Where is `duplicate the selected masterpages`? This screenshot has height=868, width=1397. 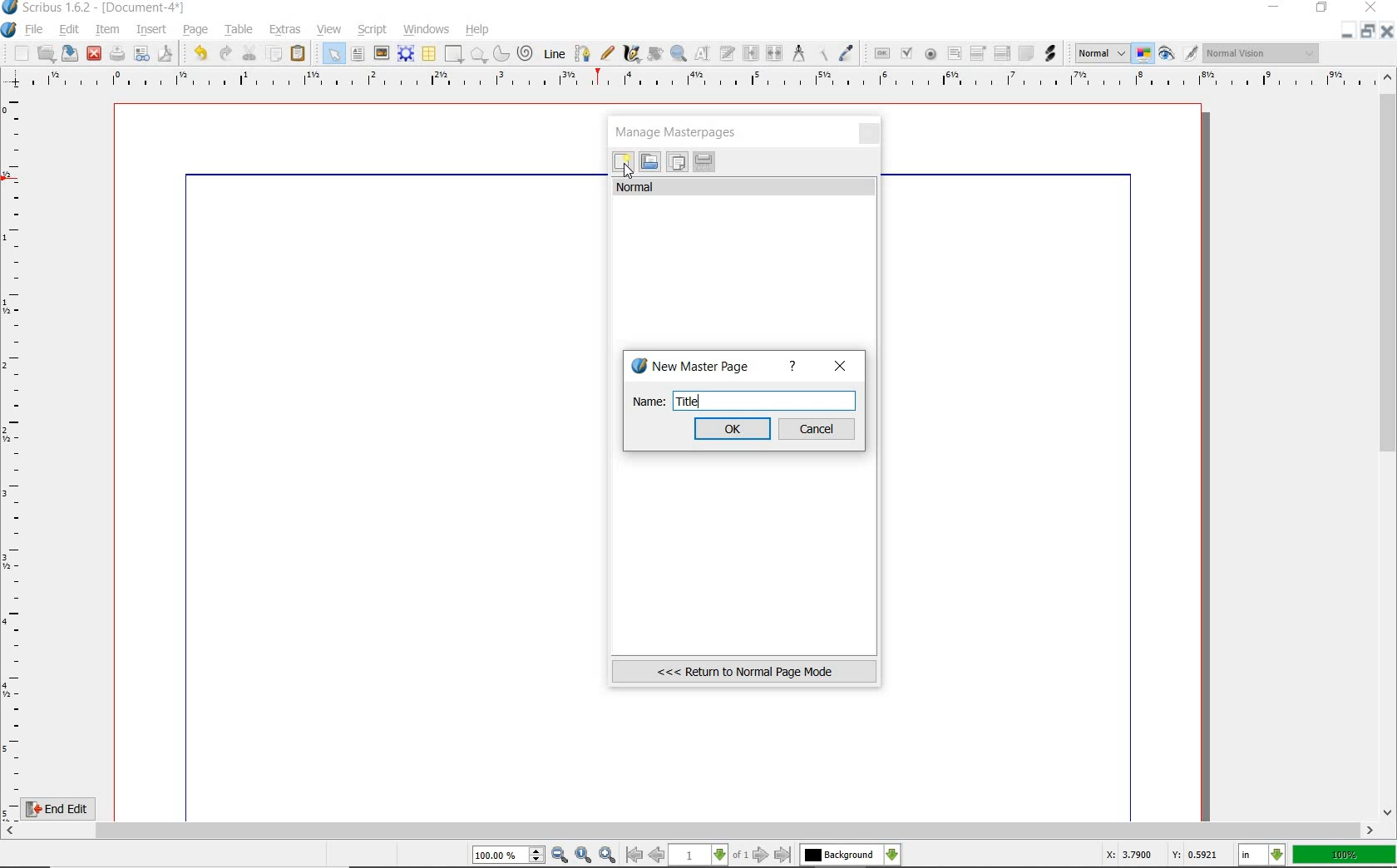 duplicate the selected masterpages is located at coordinates (677, 164).